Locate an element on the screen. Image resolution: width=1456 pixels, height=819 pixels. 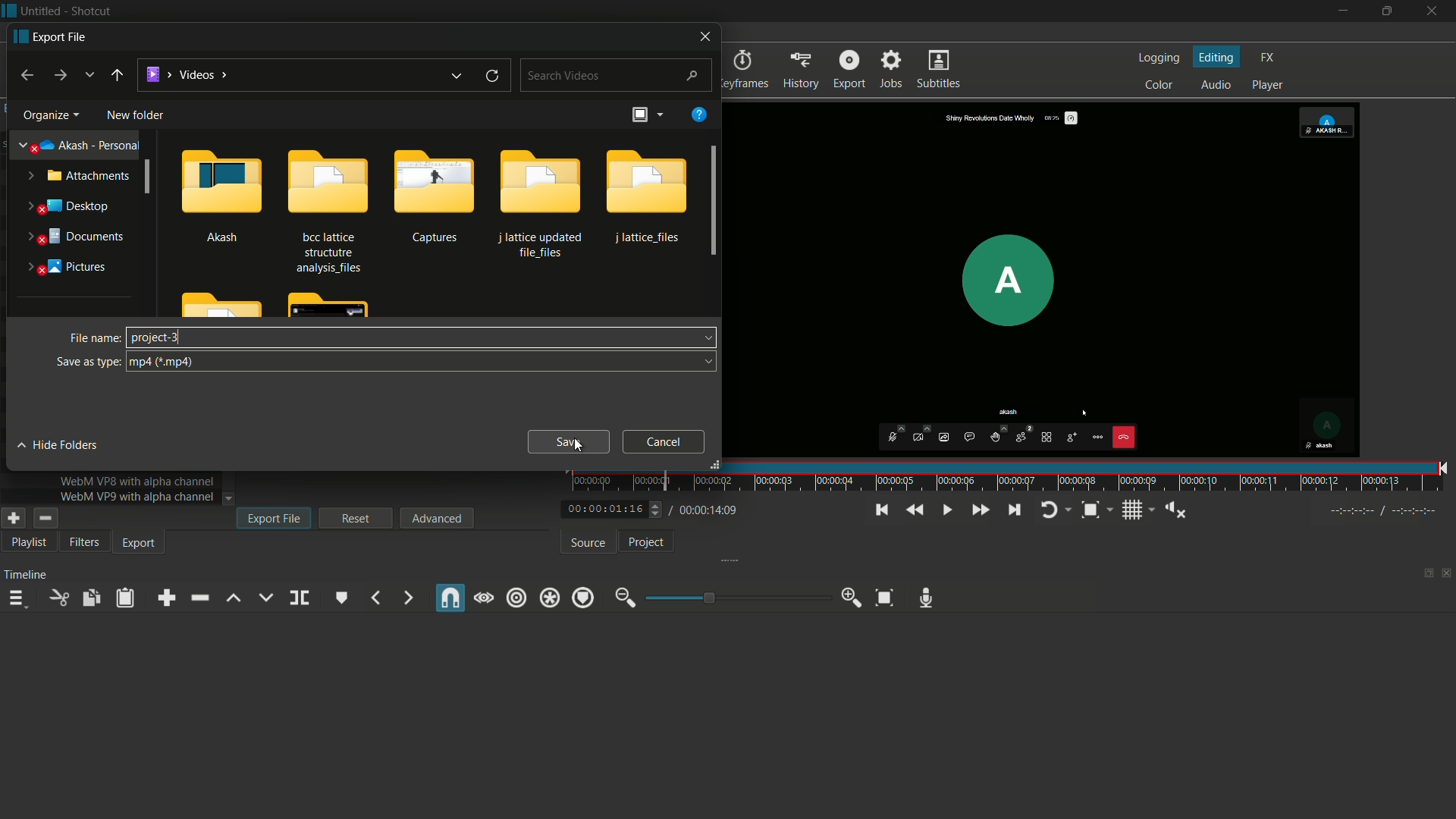
source is located at coordinates (585, 543).